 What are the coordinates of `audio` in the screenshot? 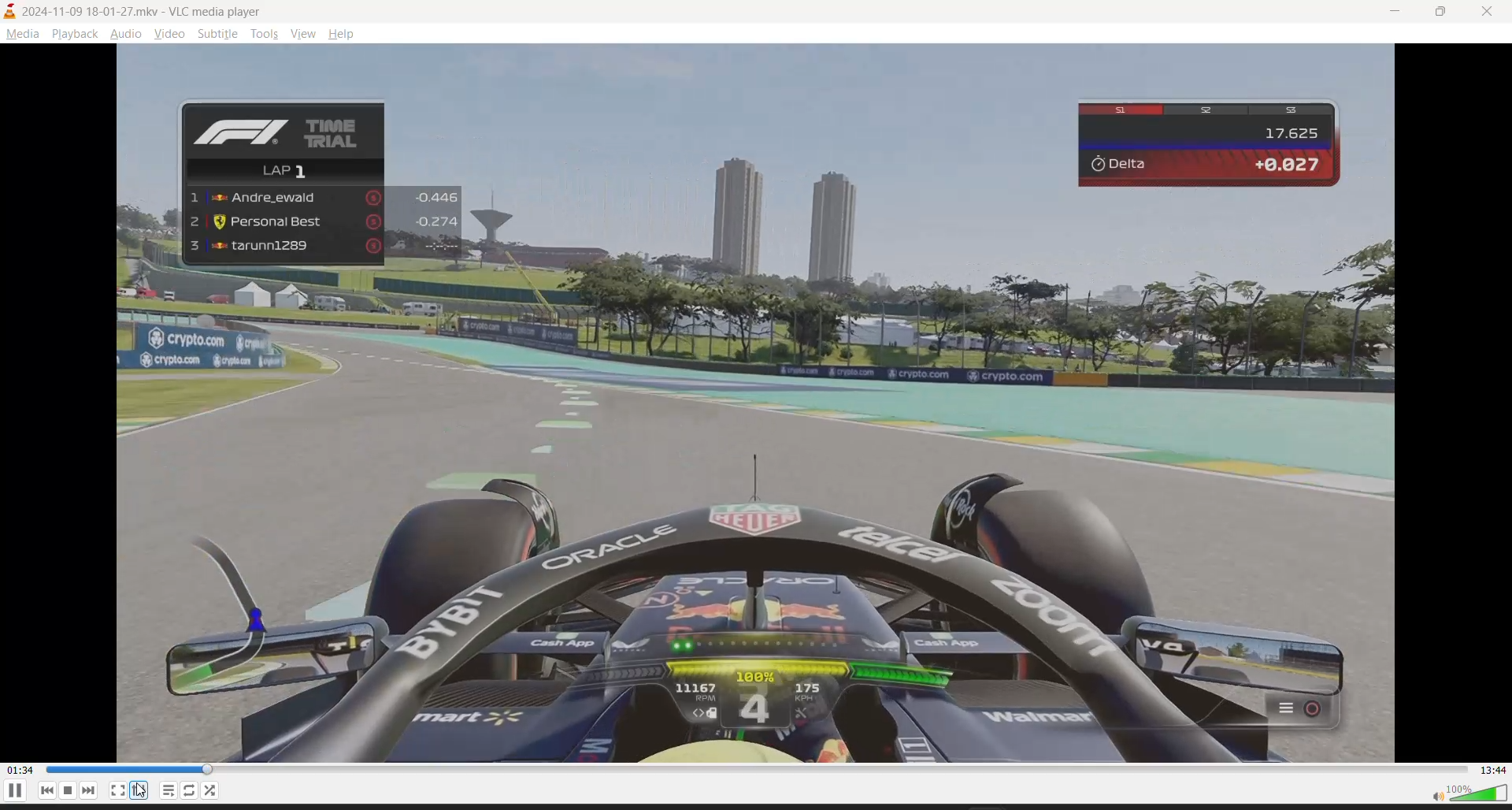 It's located at (128, 32).